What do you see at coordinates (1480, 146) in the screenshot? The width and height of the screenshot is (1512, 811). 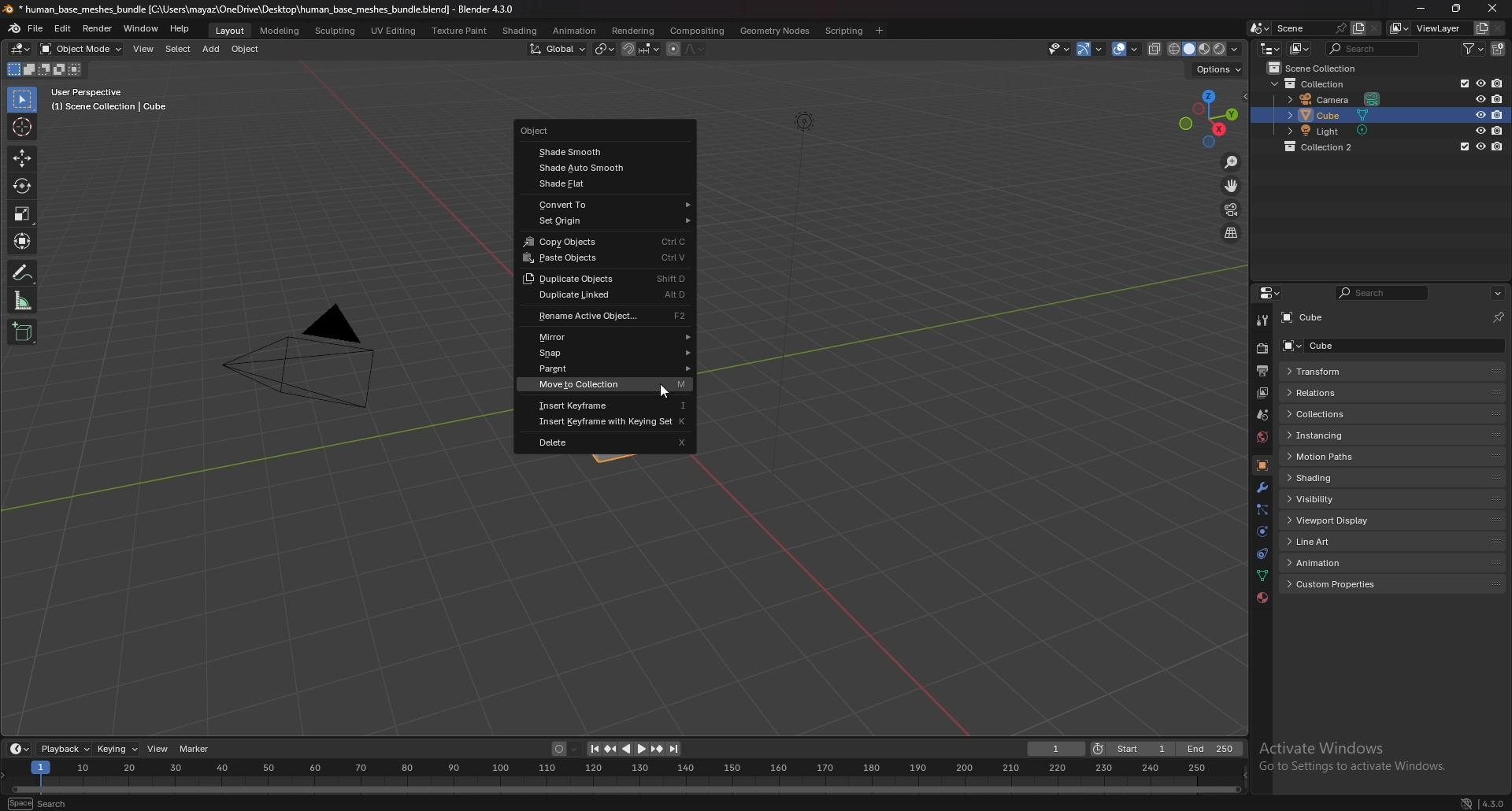 I see `hide in viewport` at bounding box center [1480, 146].